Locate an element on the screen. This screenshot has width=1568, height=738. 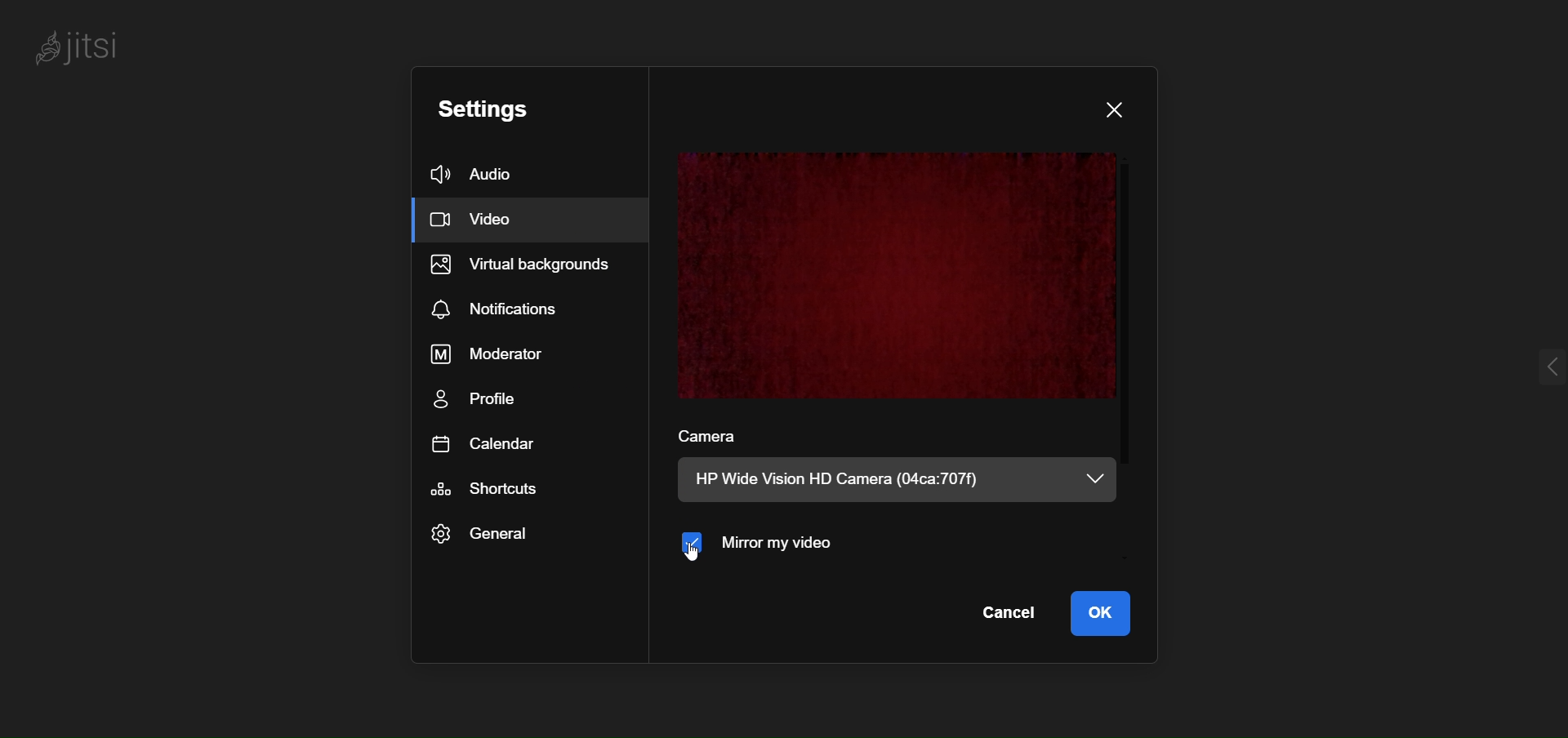
preview is located at coordinates (900, 275).